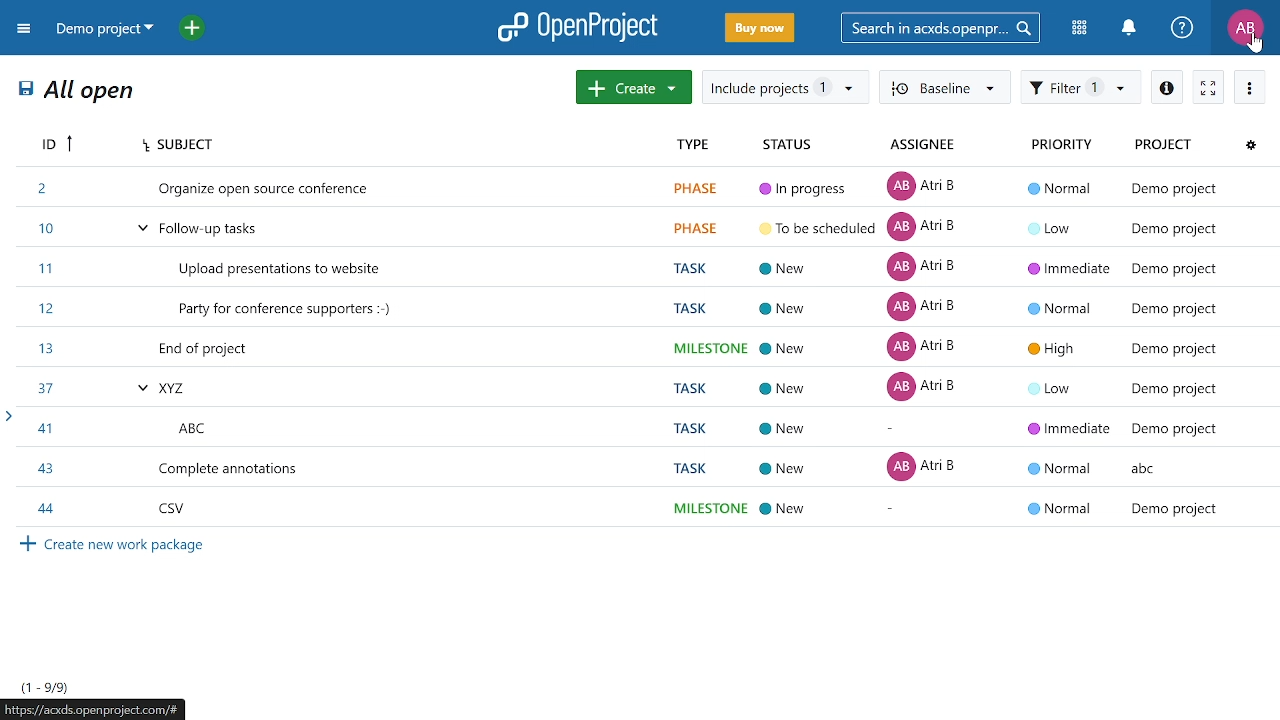 The image size is (1280, 720). Describe the element at coordinates (1208, 89) in the screenshot. I see `full view` at that location.